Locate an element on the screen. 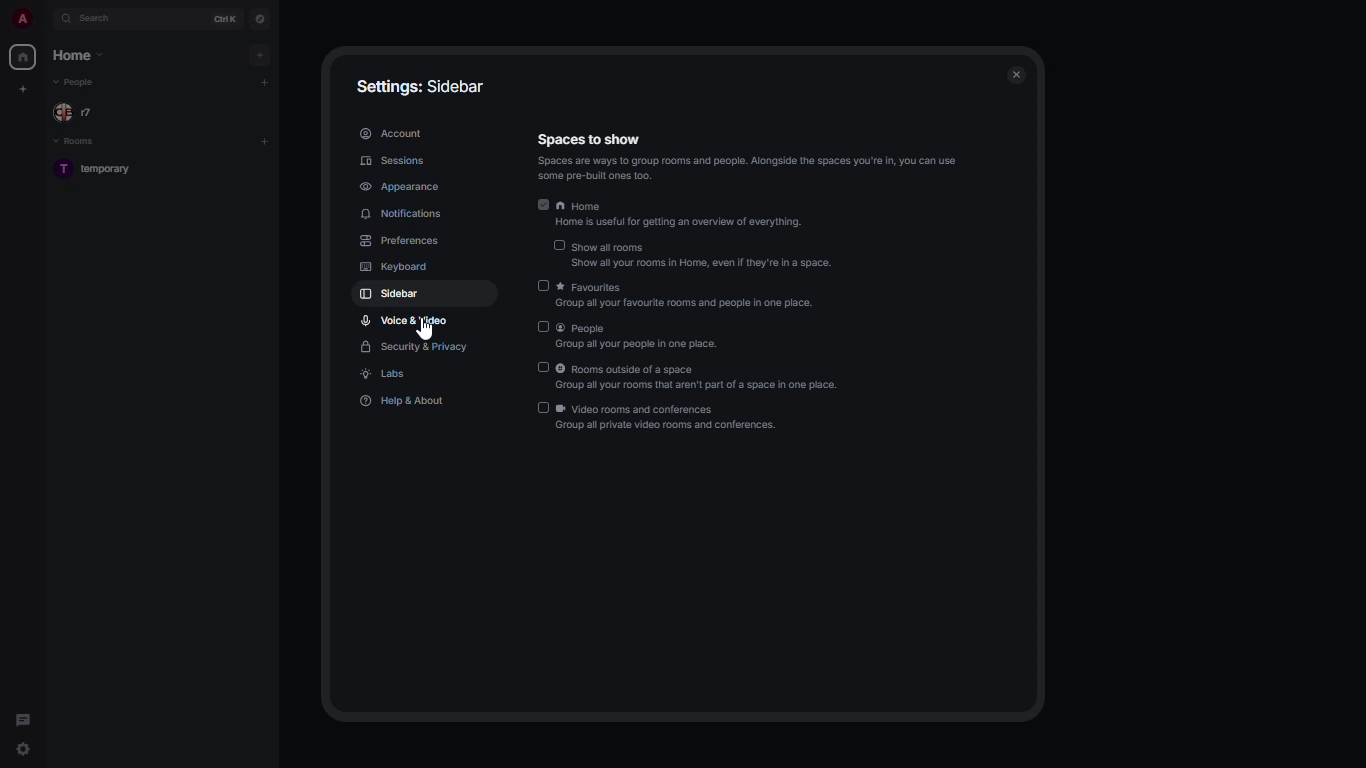 This screenshot has width=1366, height=768. SAD ou pays Mv ph. is located at coordinates (665, 346).